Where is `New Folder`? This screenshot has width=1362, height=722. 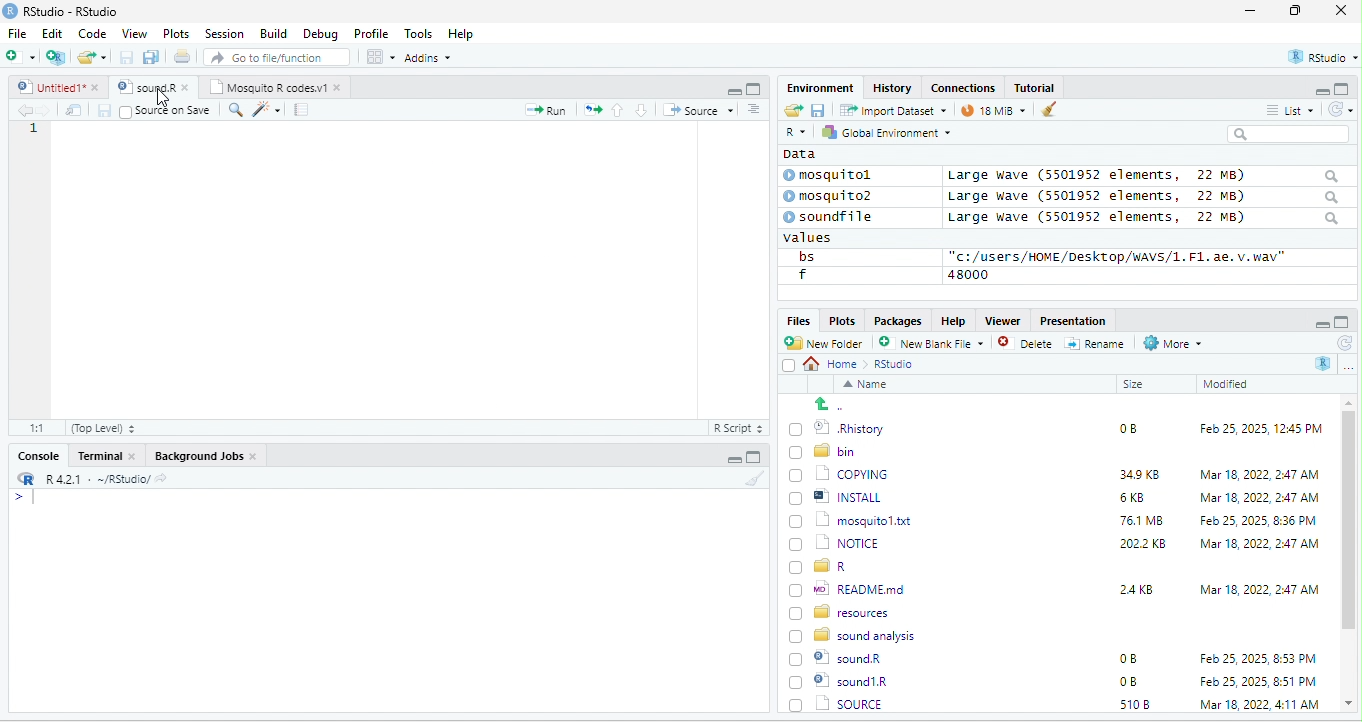
New Folder is located at coordinates (828, 343).